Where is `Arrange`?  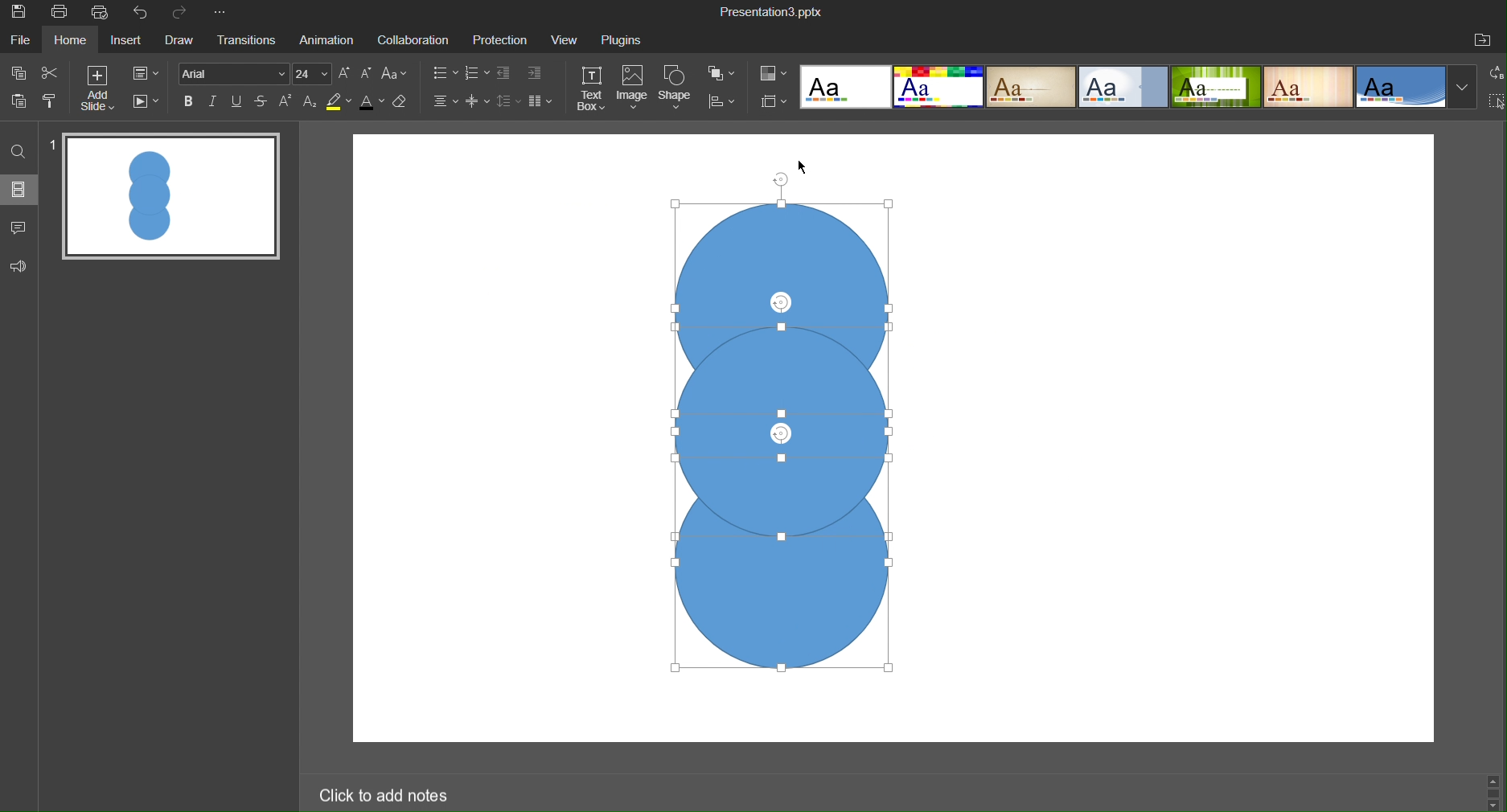
Arrange is located at coordinates (725, 76).